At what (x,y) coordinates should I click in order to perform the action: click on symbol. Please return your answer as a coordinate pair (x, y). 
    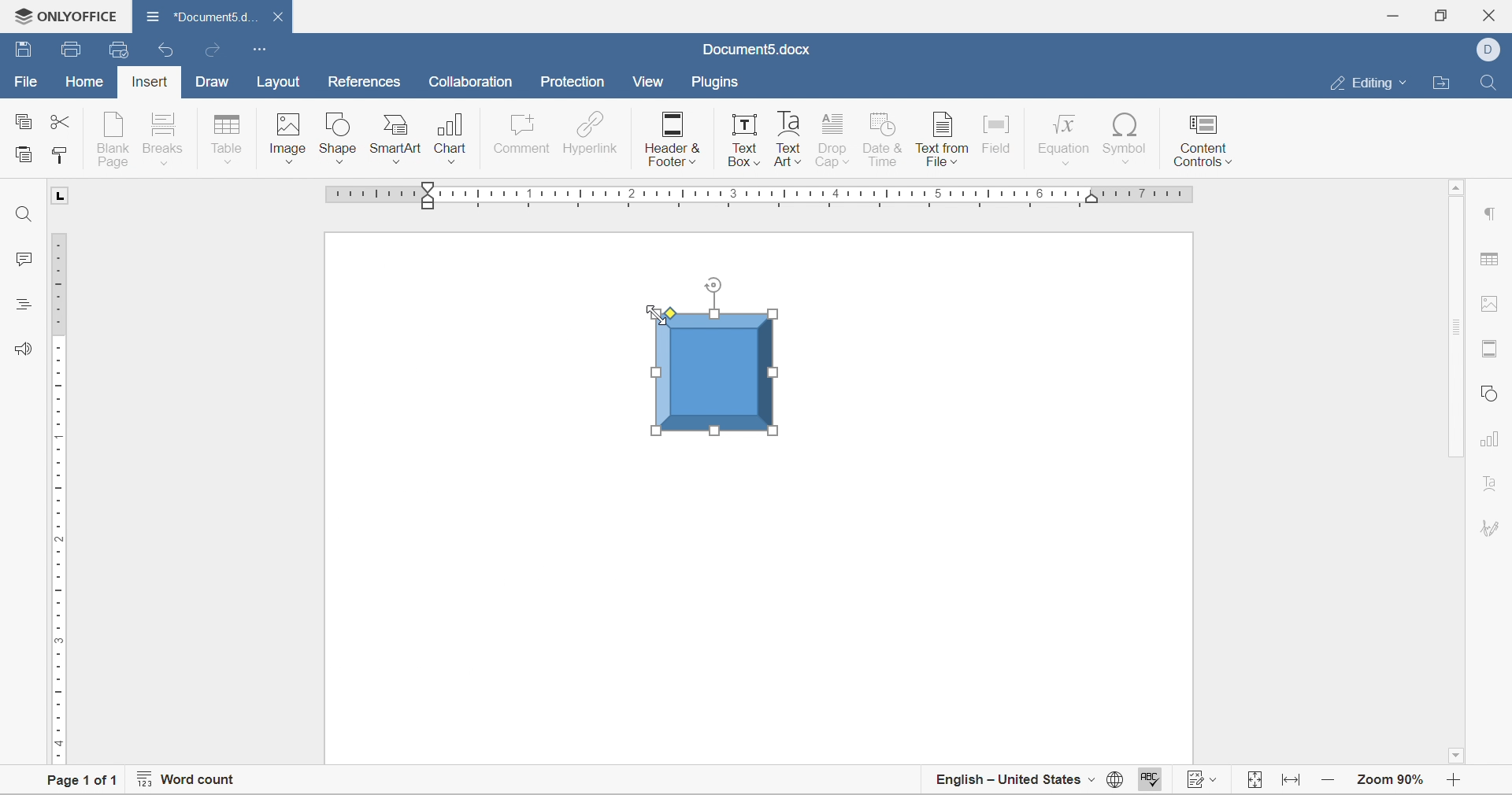
    Looking at the image, I should click on (1124, 140).